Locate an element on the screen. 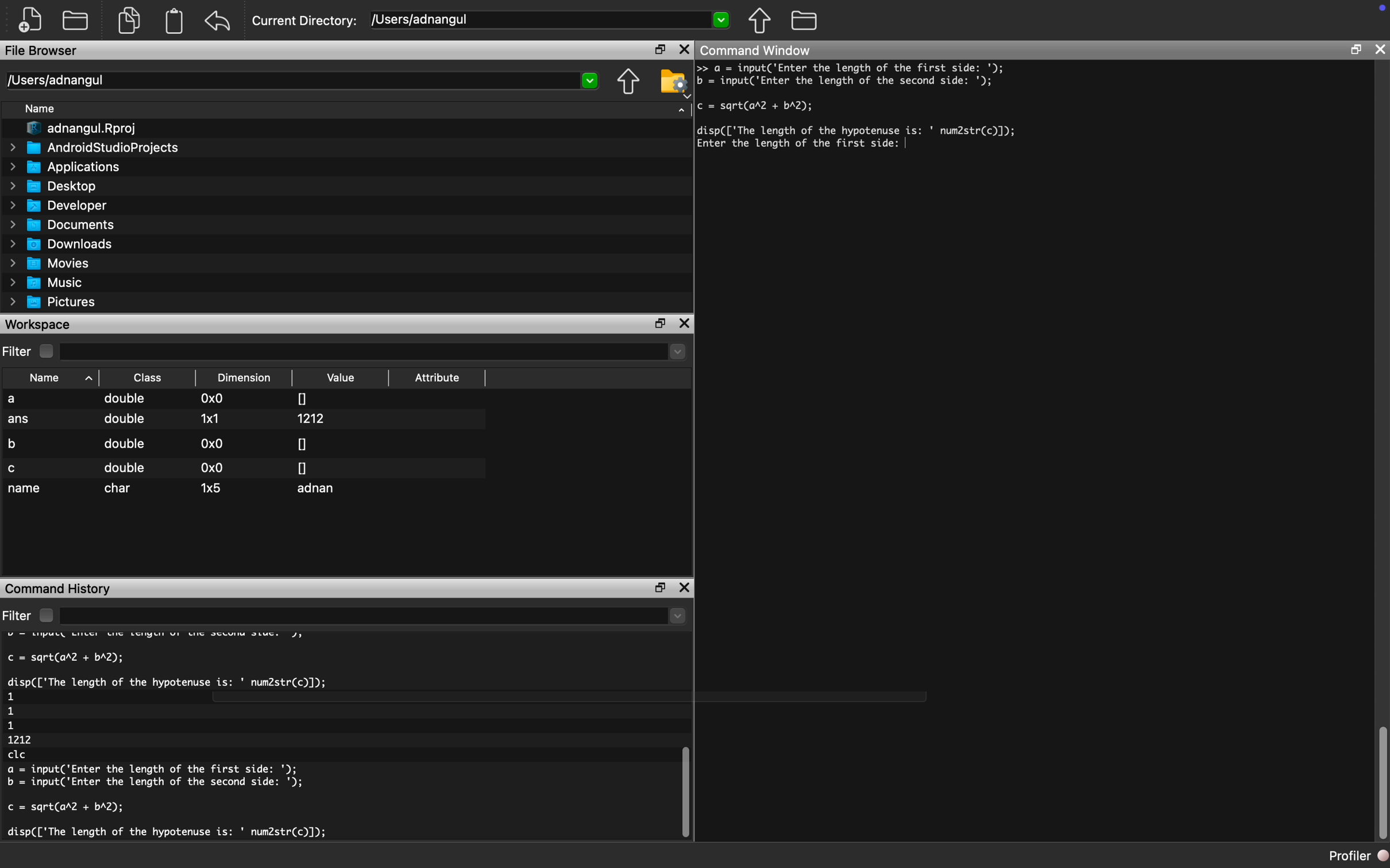  icon is located at coordinates (1380, 11).